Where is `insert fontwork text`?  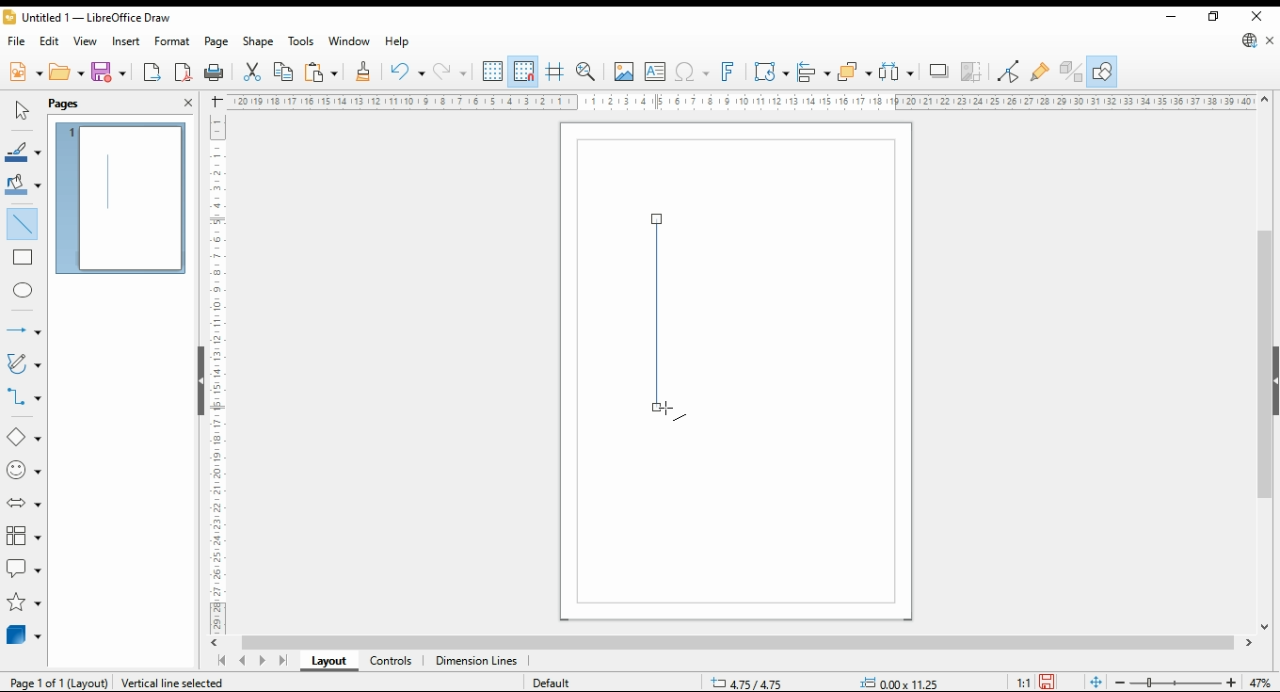 insert fontwork text is located at coordinates (728, 71).